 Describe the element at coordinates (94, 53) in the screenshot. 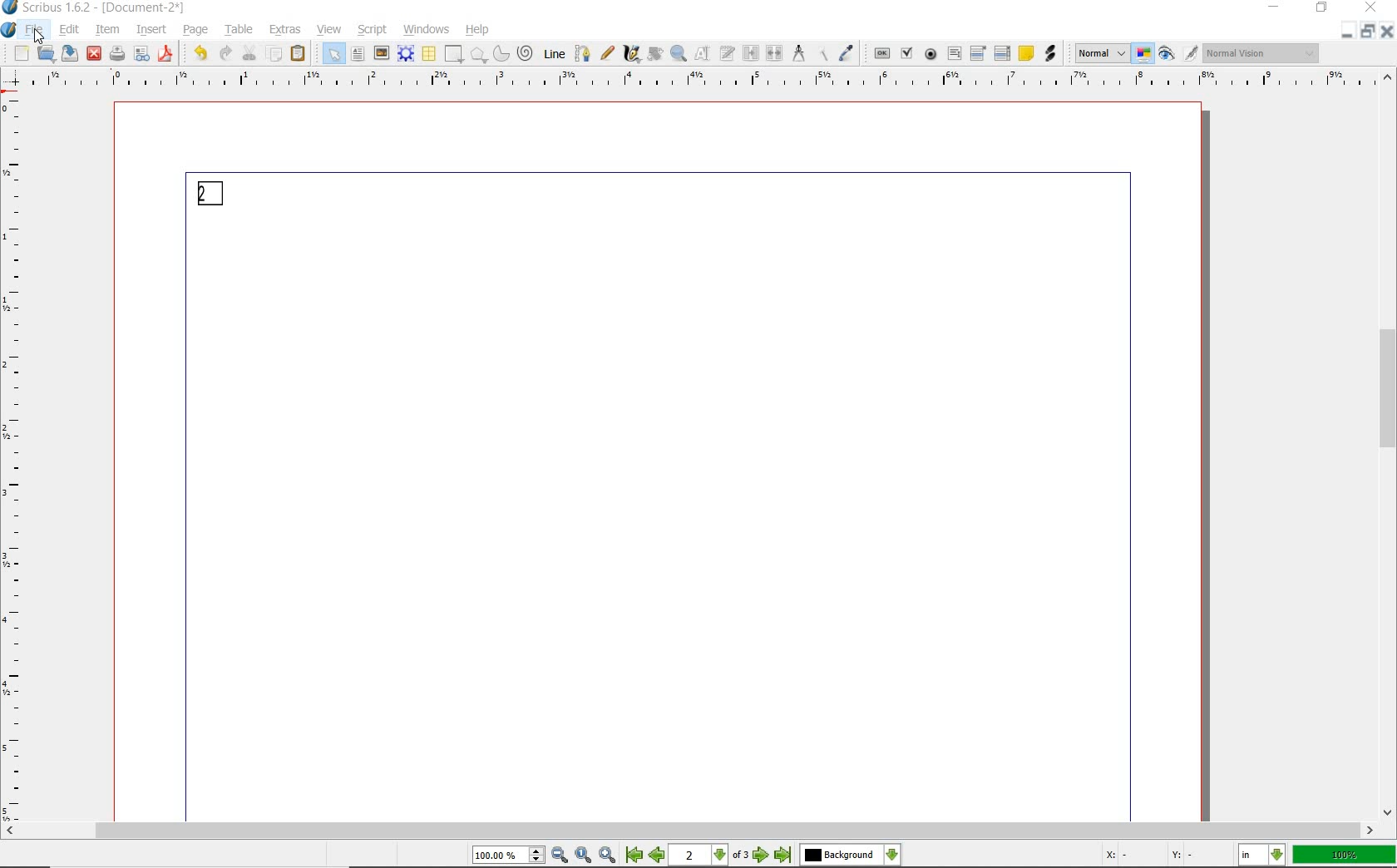

I see `close` at that location.